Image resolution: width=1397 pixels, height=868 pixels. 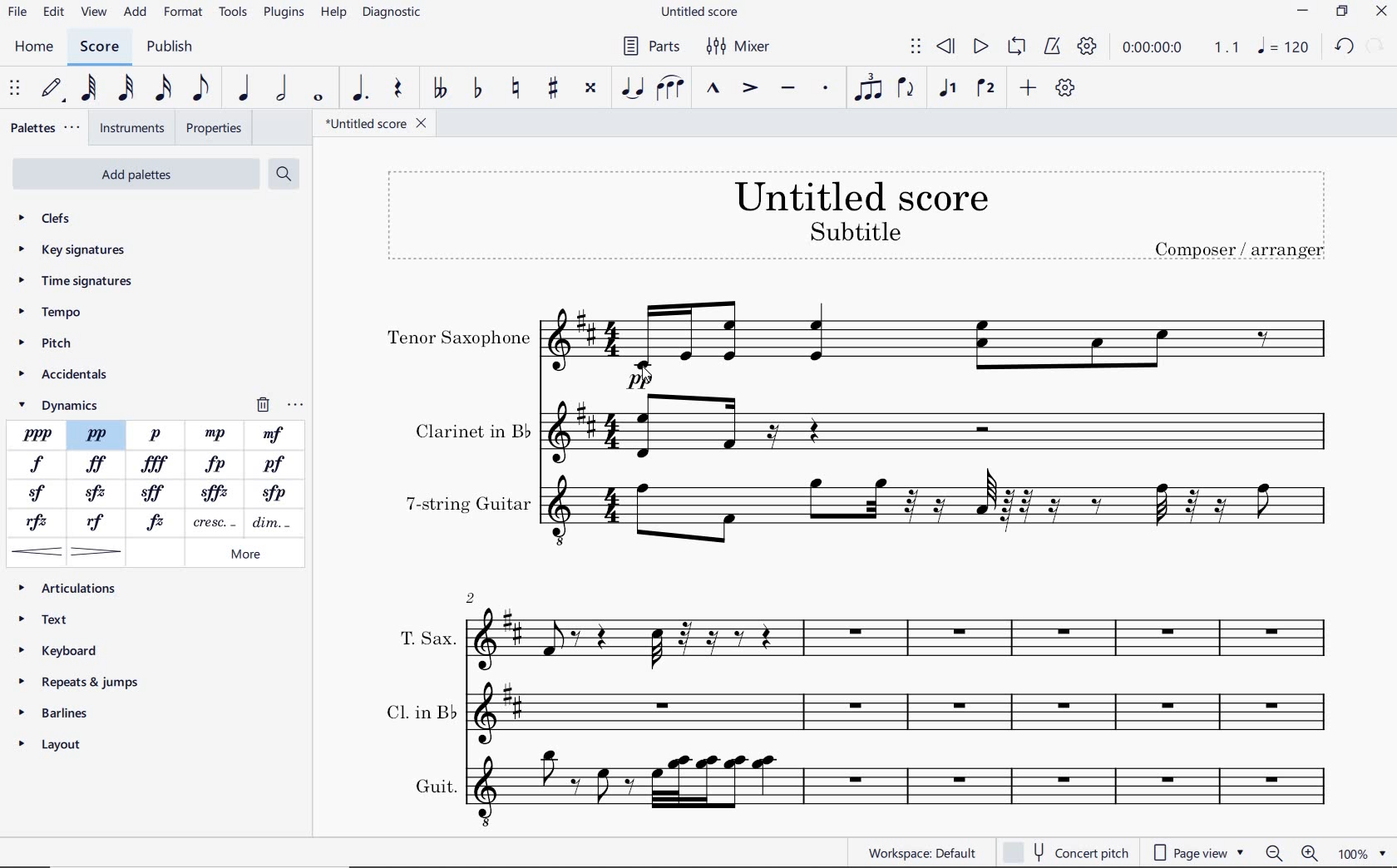 What do you see at coordinates (132, 129) in the screenshot?
I see `instruments` at bounding box center [132, 129].